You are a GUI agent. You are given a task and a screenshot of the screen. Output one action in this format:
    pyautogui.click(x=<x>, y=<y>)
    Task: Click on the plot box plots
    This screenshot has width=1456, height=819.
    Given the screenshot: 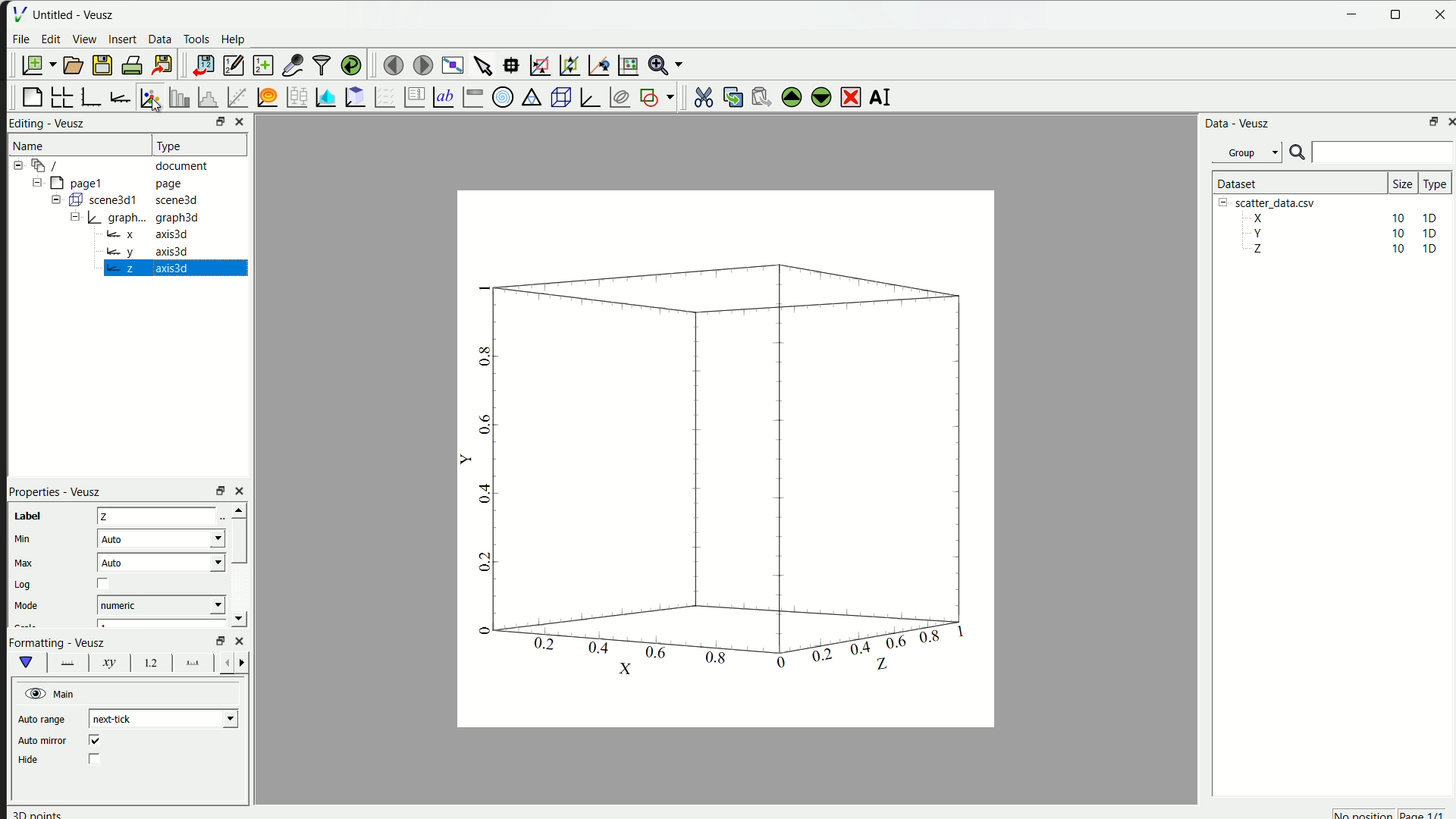 What is the action you would take?
    pyautogui.click(x=293, y=98)
    